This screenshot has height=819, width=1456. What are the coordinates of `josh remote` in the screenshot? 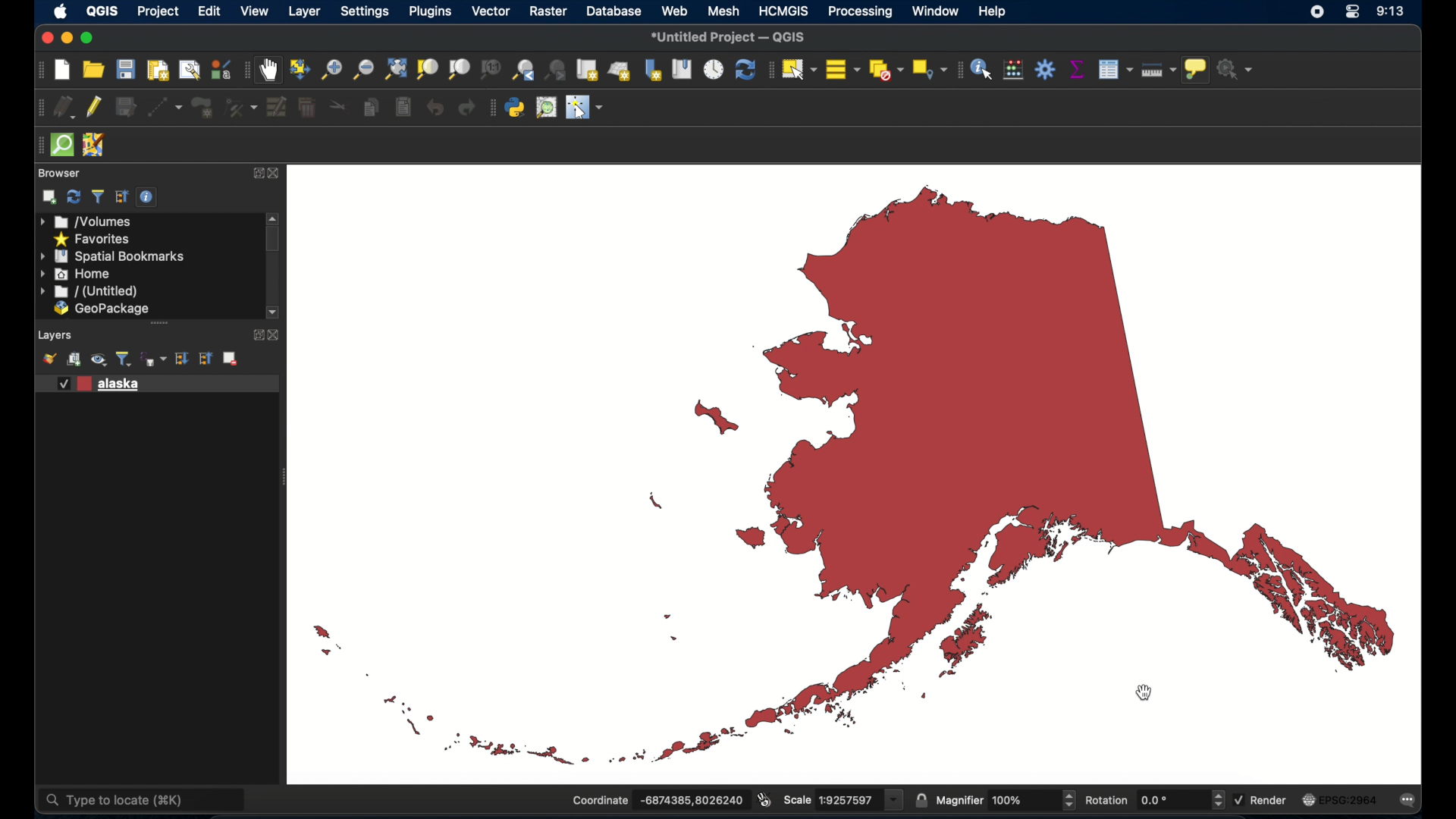 It's located at (94, 143).